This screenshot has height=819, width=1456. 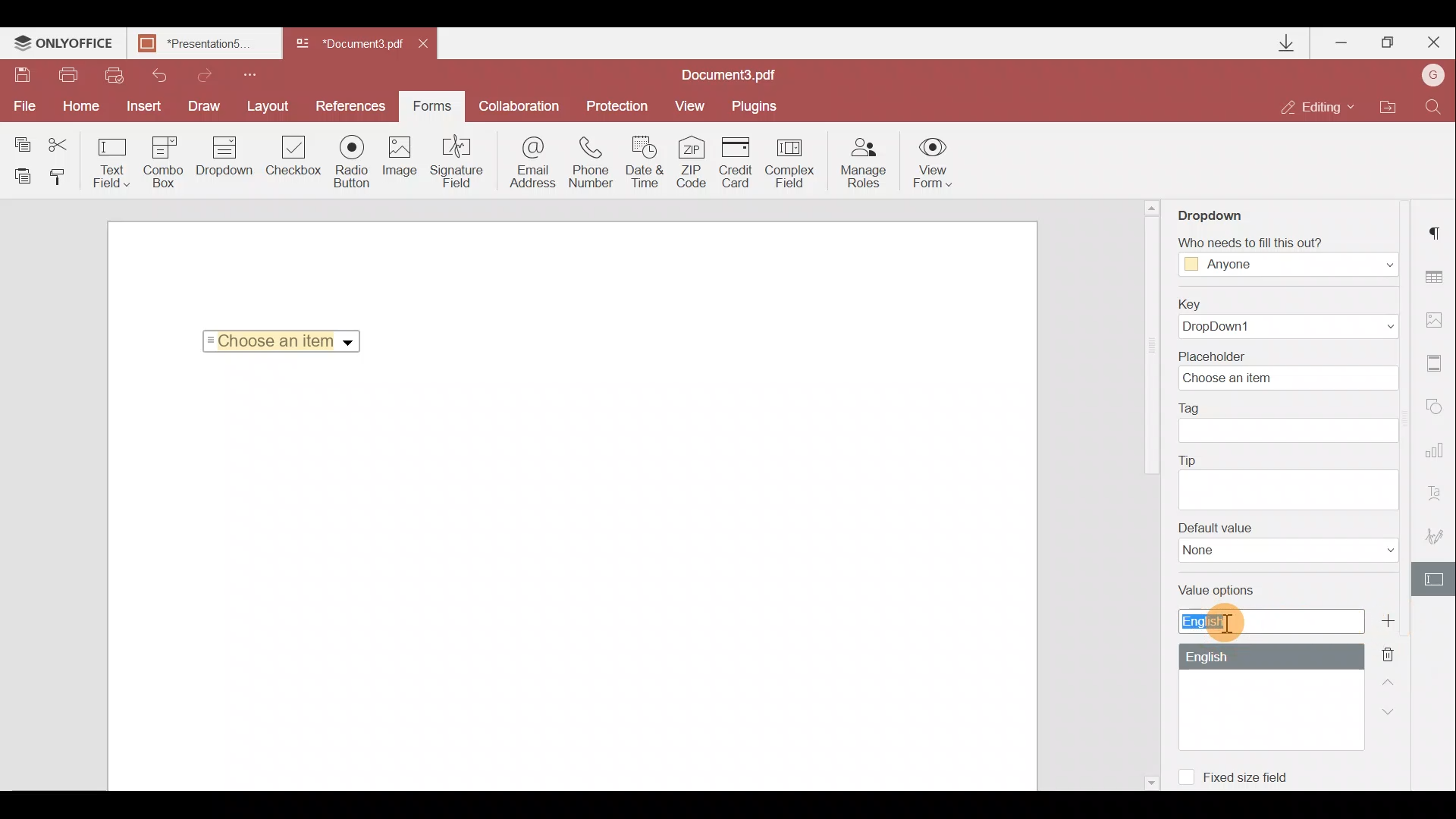 I want to click on Forms, so click(x=431, y=101).